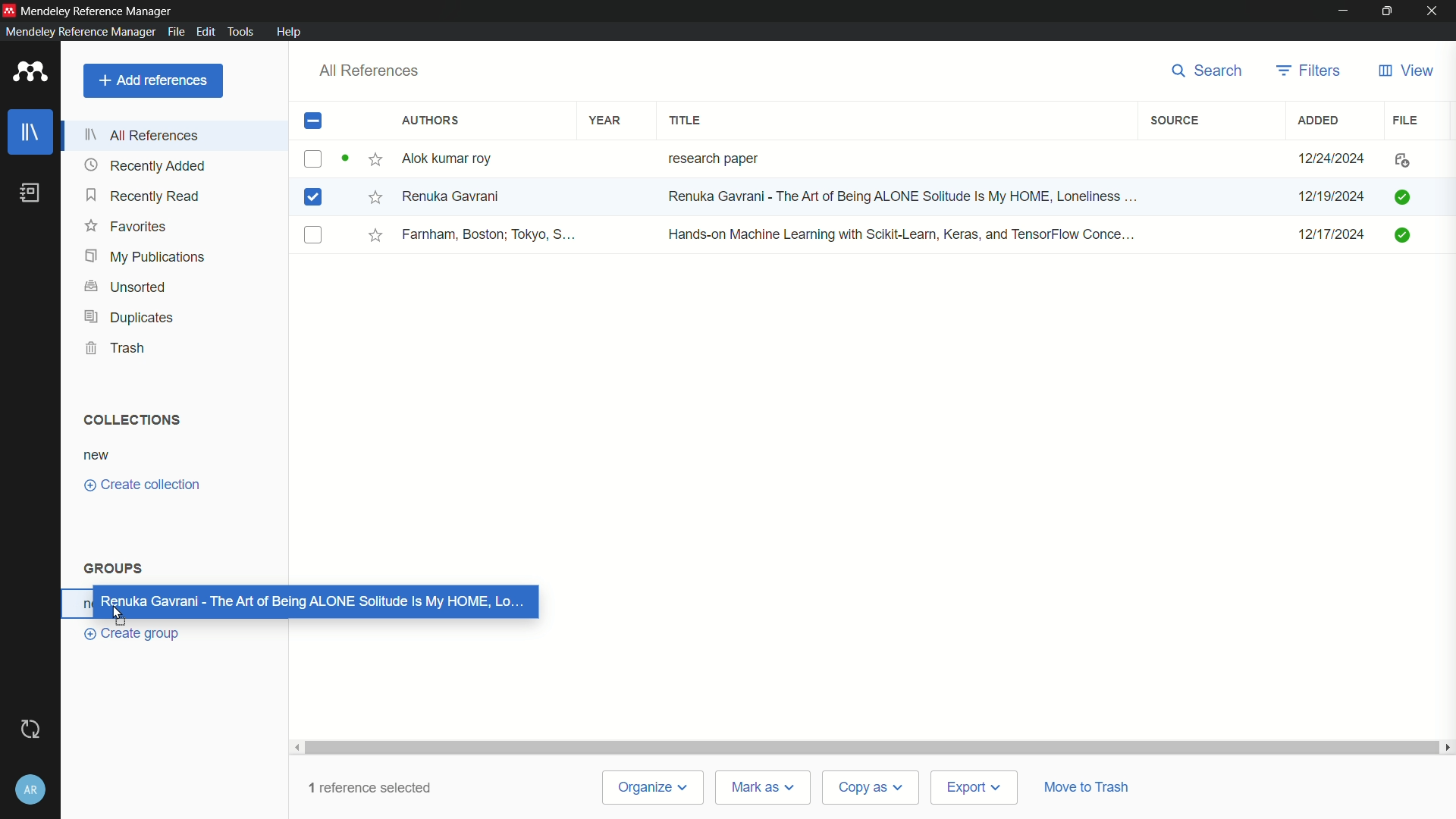  I want to click on minimize, so click(1344, 10).